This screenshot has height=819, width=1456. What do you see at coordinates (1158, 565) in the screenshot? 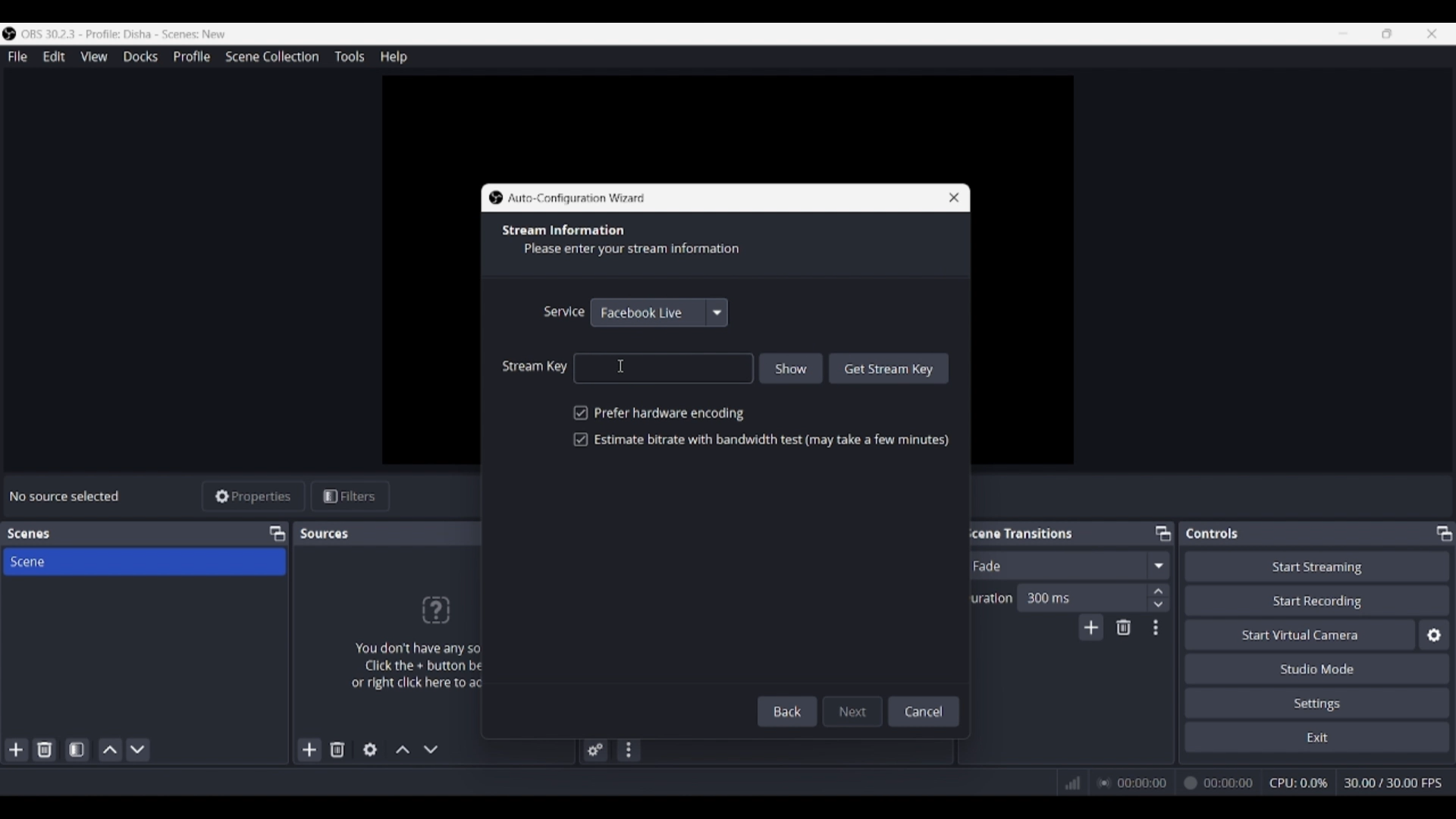
I see `Fade options` at bounding box center [1158, 565].